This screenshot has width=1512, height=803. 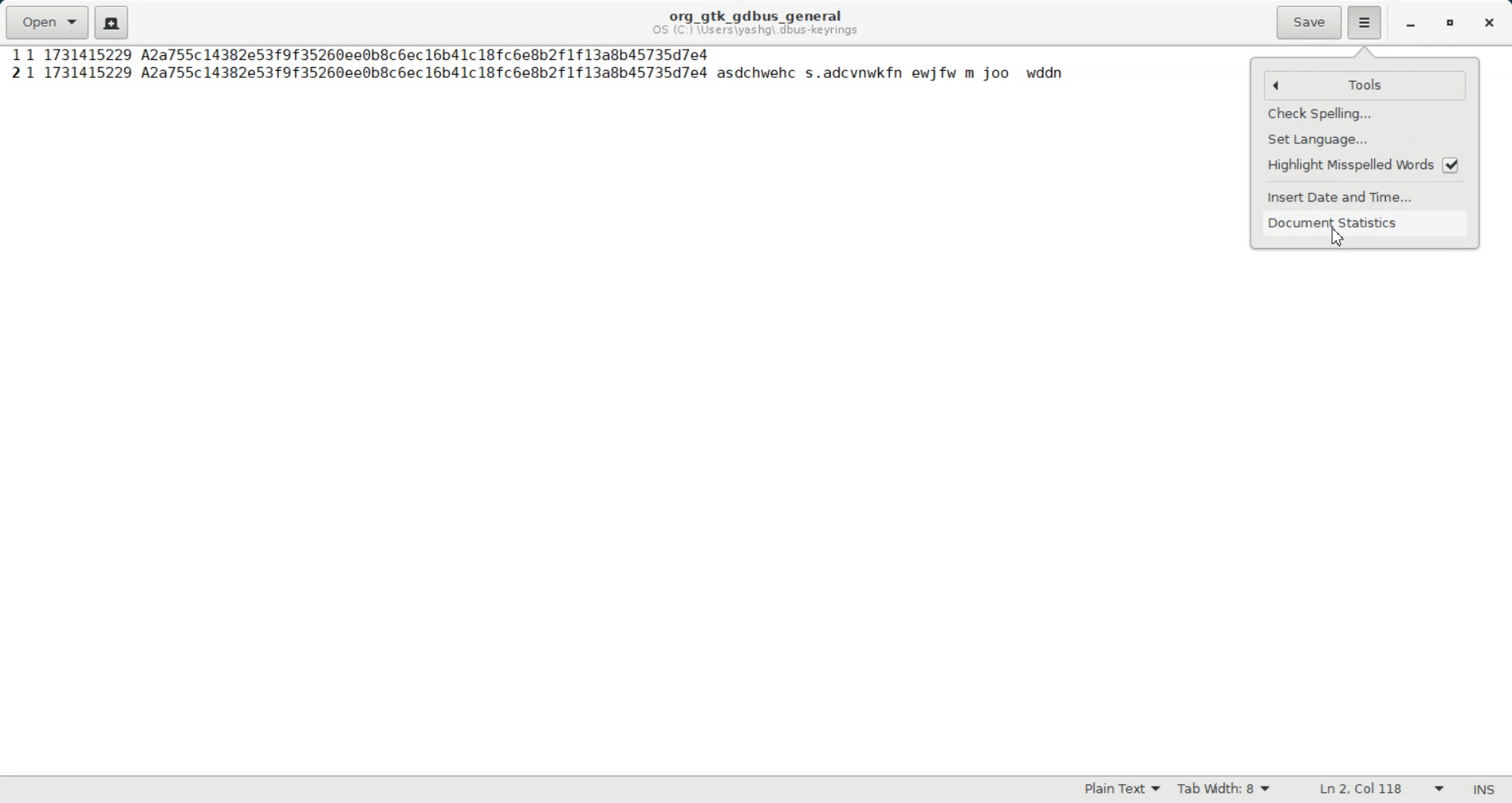 I want to click on Check Spelling, so click(x=1365, y=114).